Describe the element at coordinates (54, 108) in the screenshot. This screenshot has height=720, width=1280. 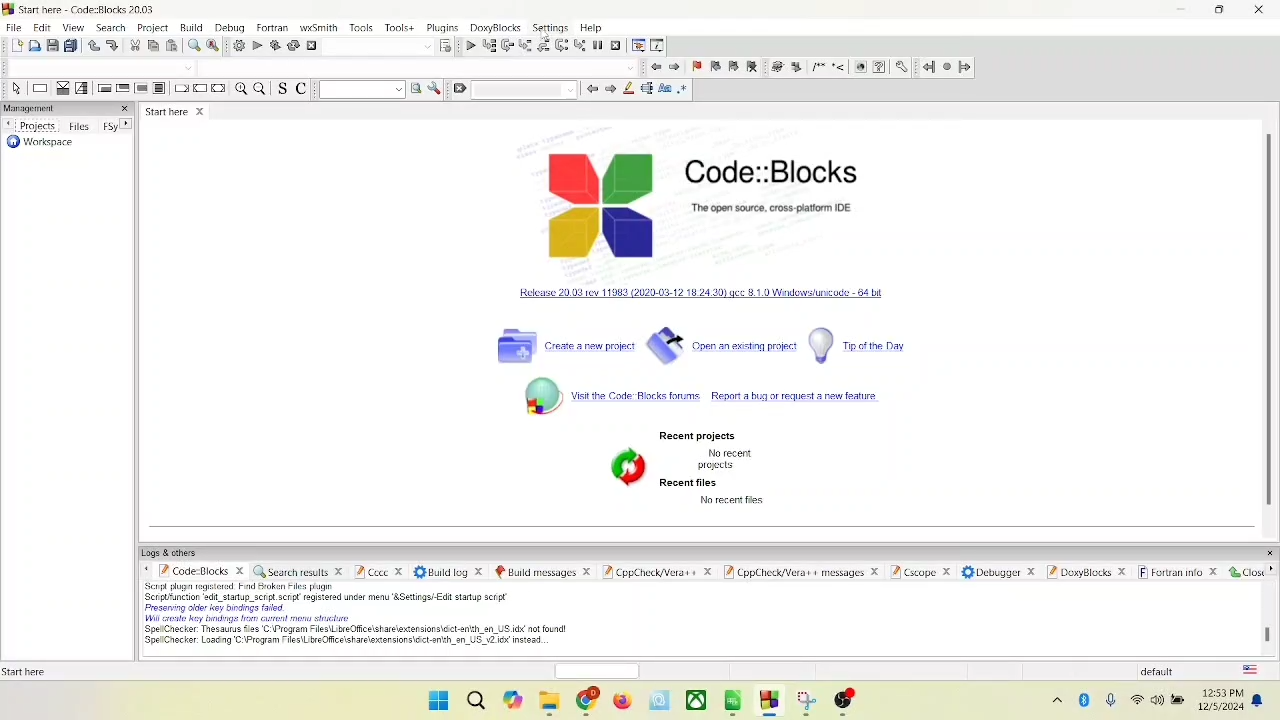
I see `management` at that location.